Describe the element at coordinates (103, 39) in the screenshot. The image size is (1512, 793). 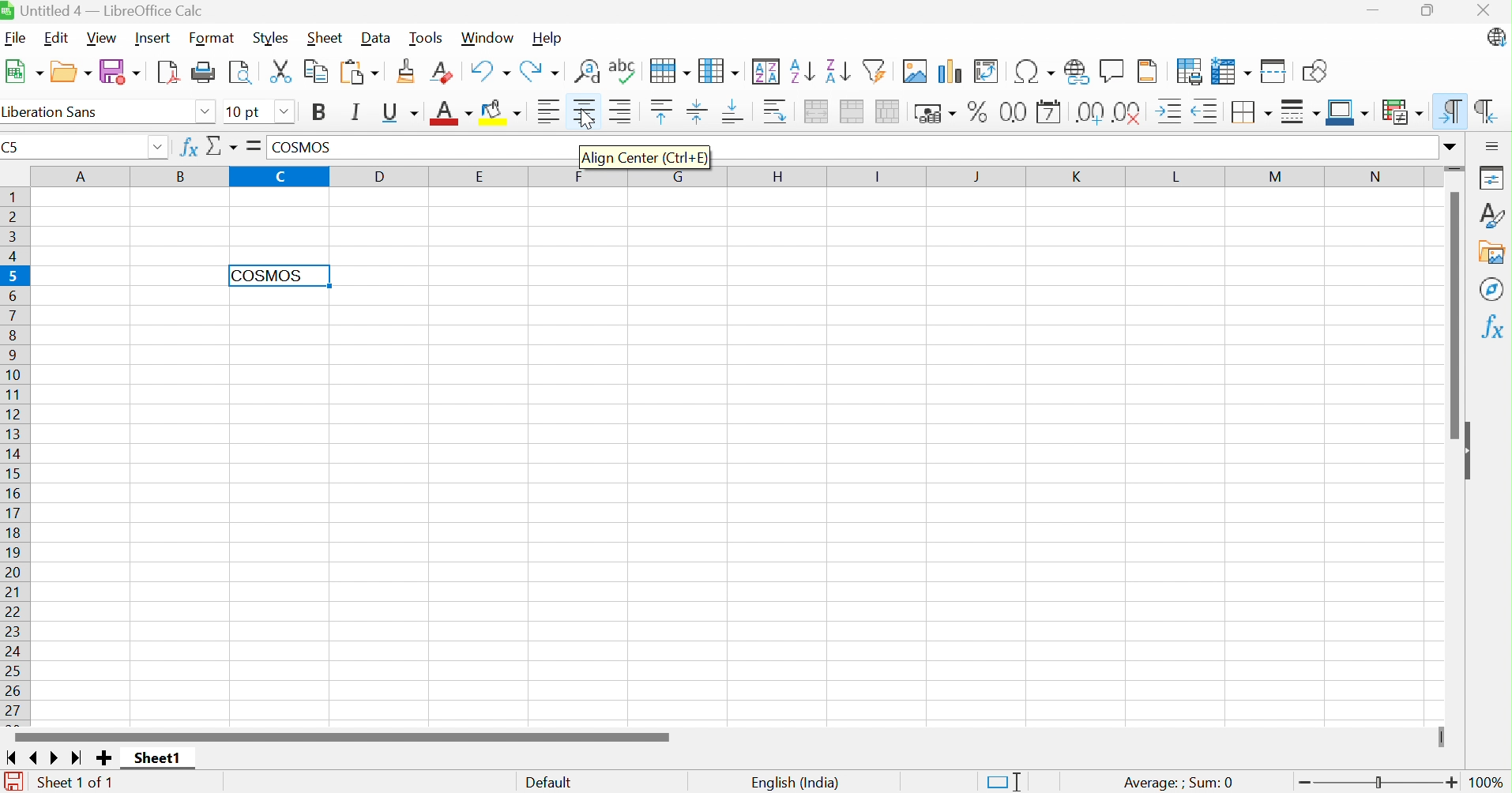
I see `View` at that location.